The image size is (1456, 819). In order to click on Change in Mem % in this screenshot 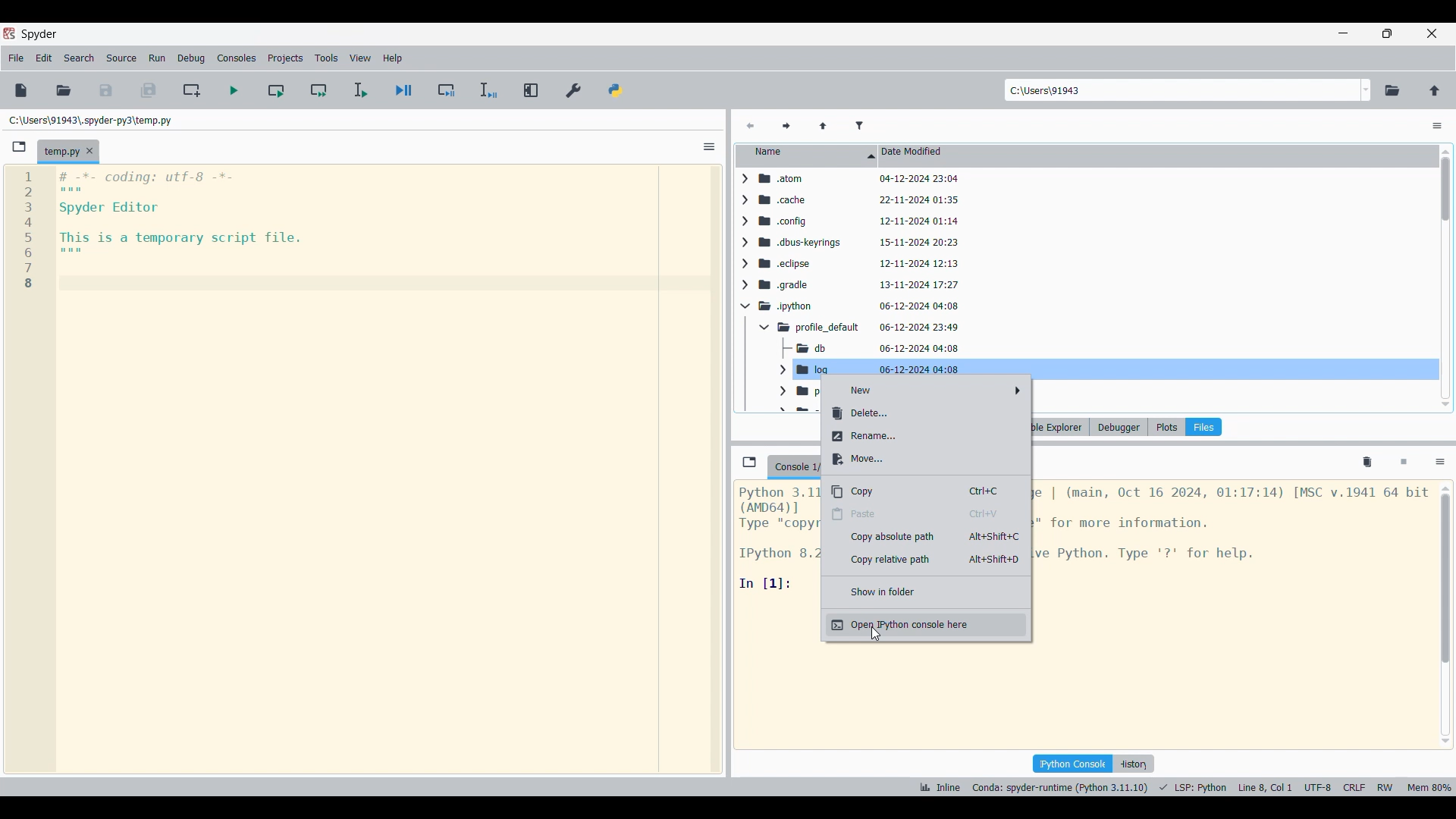, I will do `click(1430, 787)`.